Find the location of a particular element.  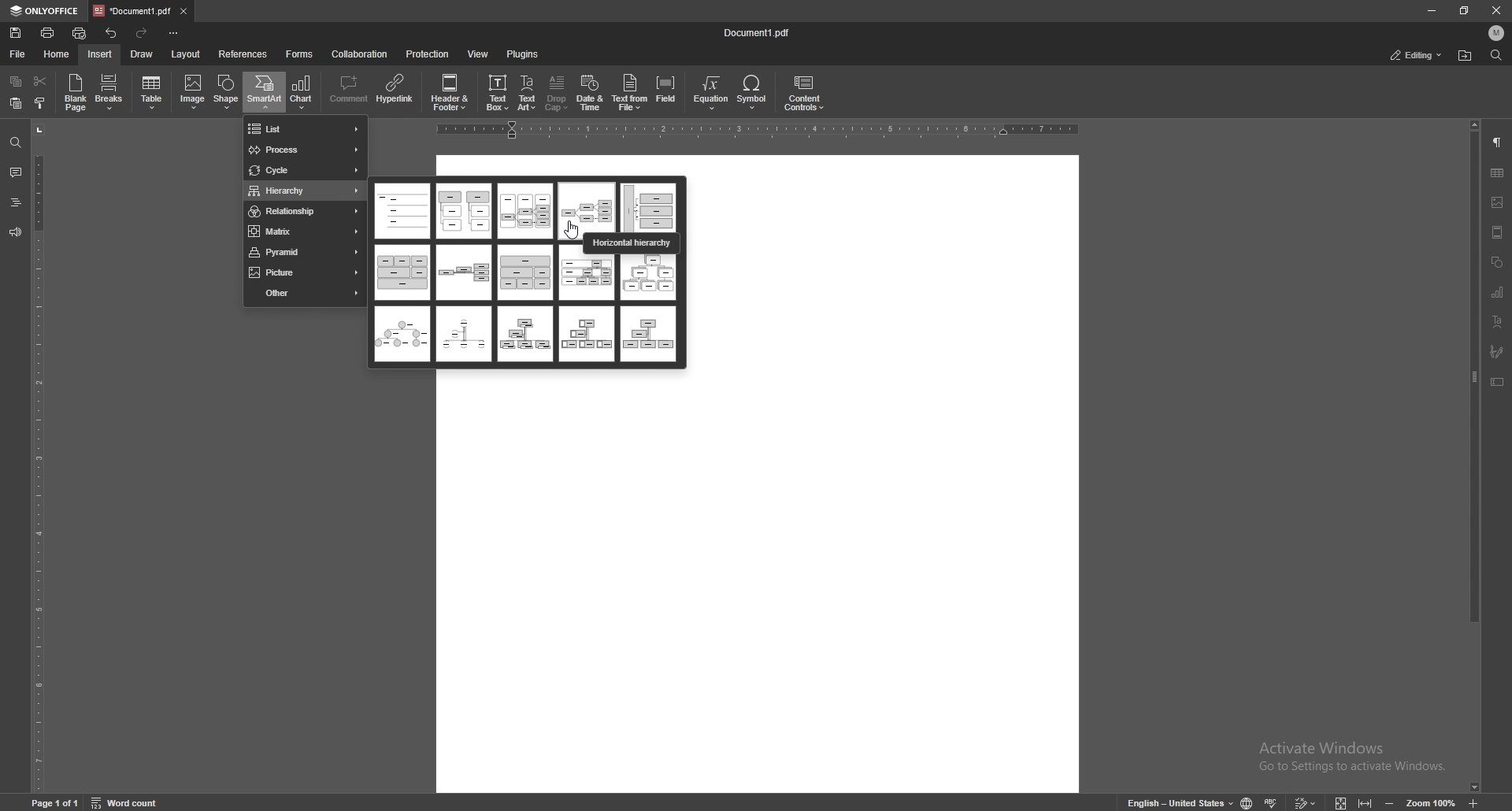

comment is located at coordinates (350, 91).